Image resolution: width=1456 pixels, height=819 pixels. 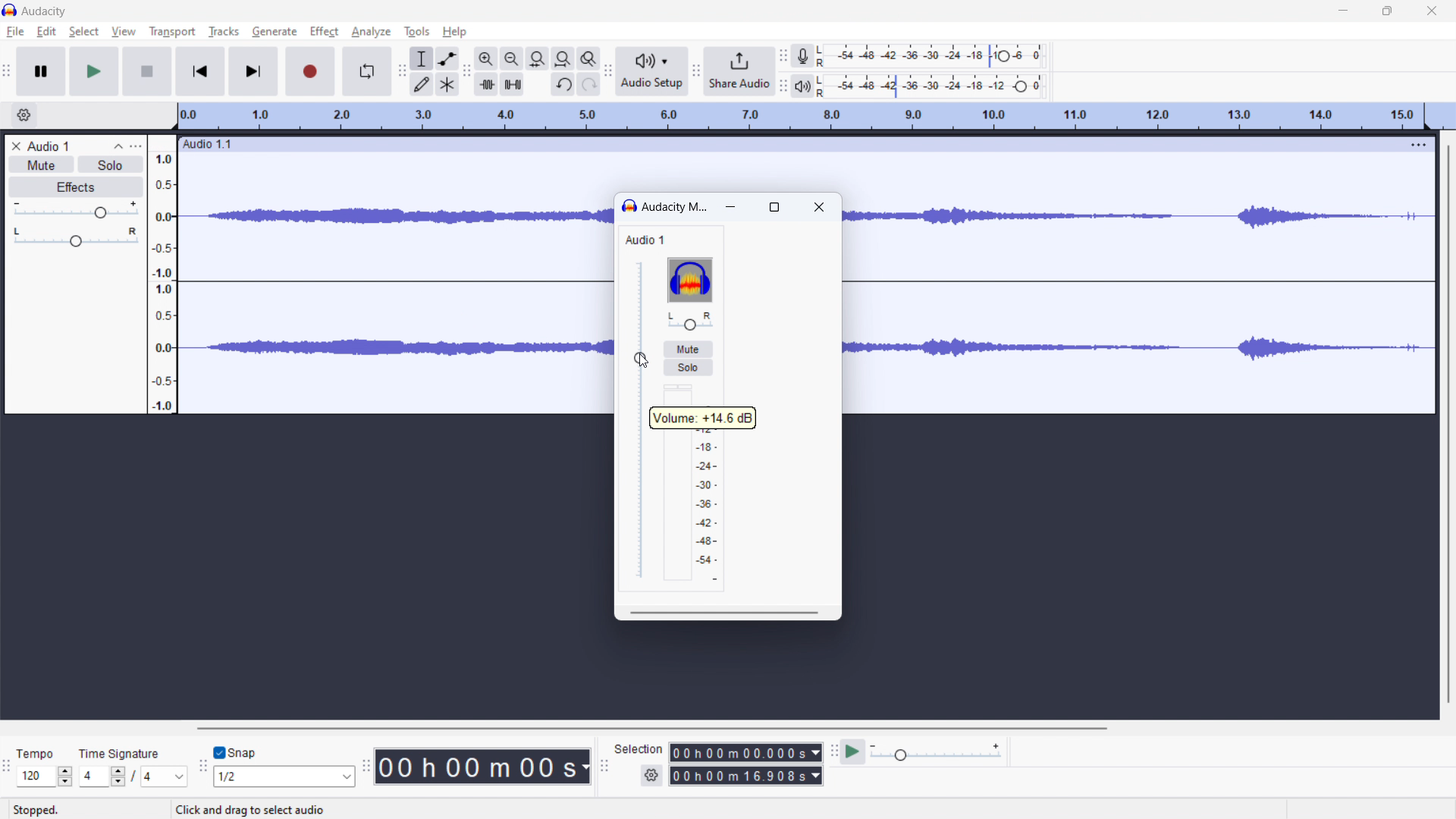 What do you see at coordinates (1388, 10) in the screenshot?
I see `maximize` at bounding box center [1388, 10].